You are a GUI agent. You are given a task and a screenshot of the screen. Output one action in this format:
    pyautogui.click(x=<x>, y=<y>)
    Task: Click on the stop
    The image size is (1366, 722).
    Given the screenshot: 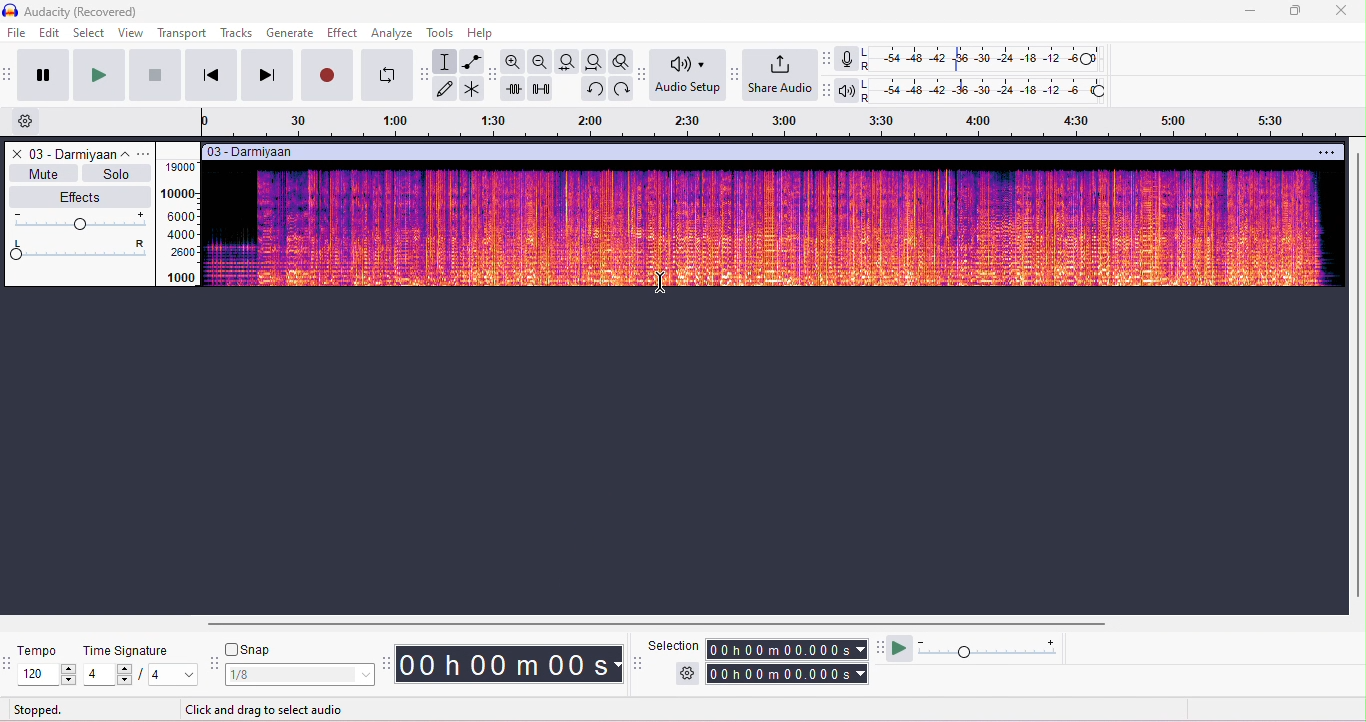 What is the action you would take?
    pyautogui.click(x=155, y=74)
    